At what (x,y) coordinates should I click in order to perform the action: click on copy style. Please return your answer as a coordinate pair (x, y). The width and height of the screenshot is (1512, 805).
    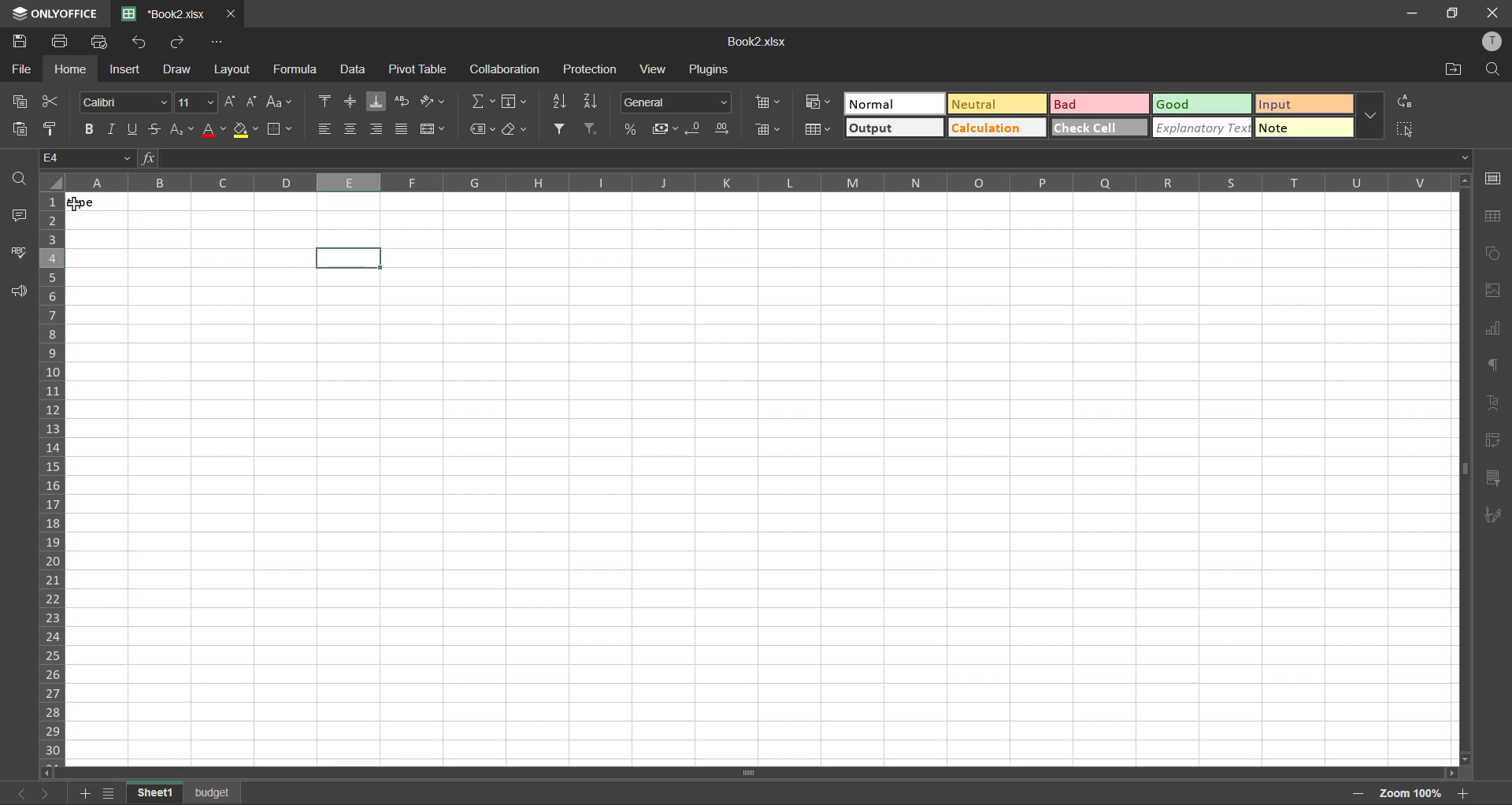
    Looking at the image, I should click on (53, 129).